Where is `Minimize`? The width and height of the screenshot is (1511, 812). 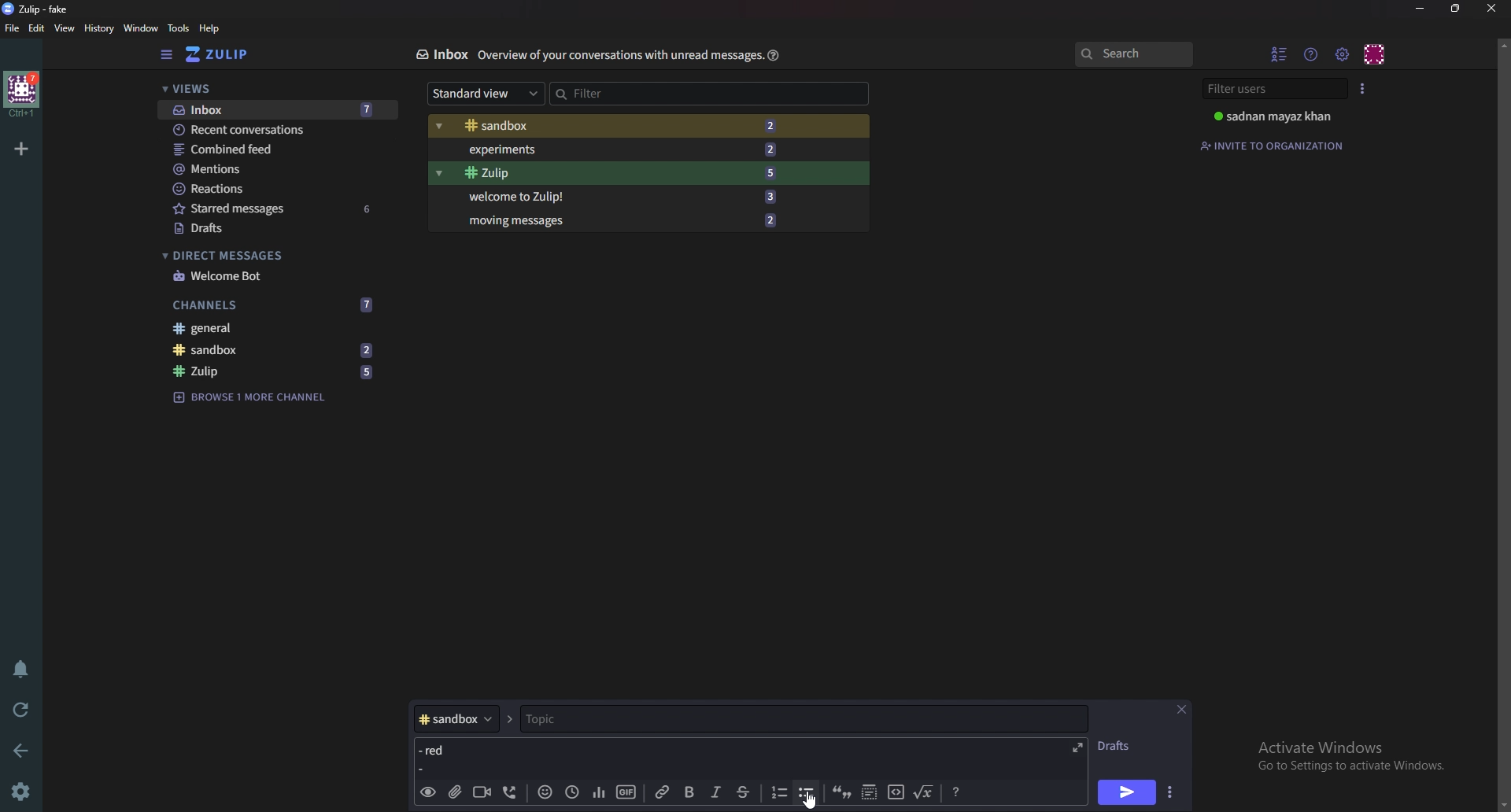 Minimize is located at coordinates (1422, 9).